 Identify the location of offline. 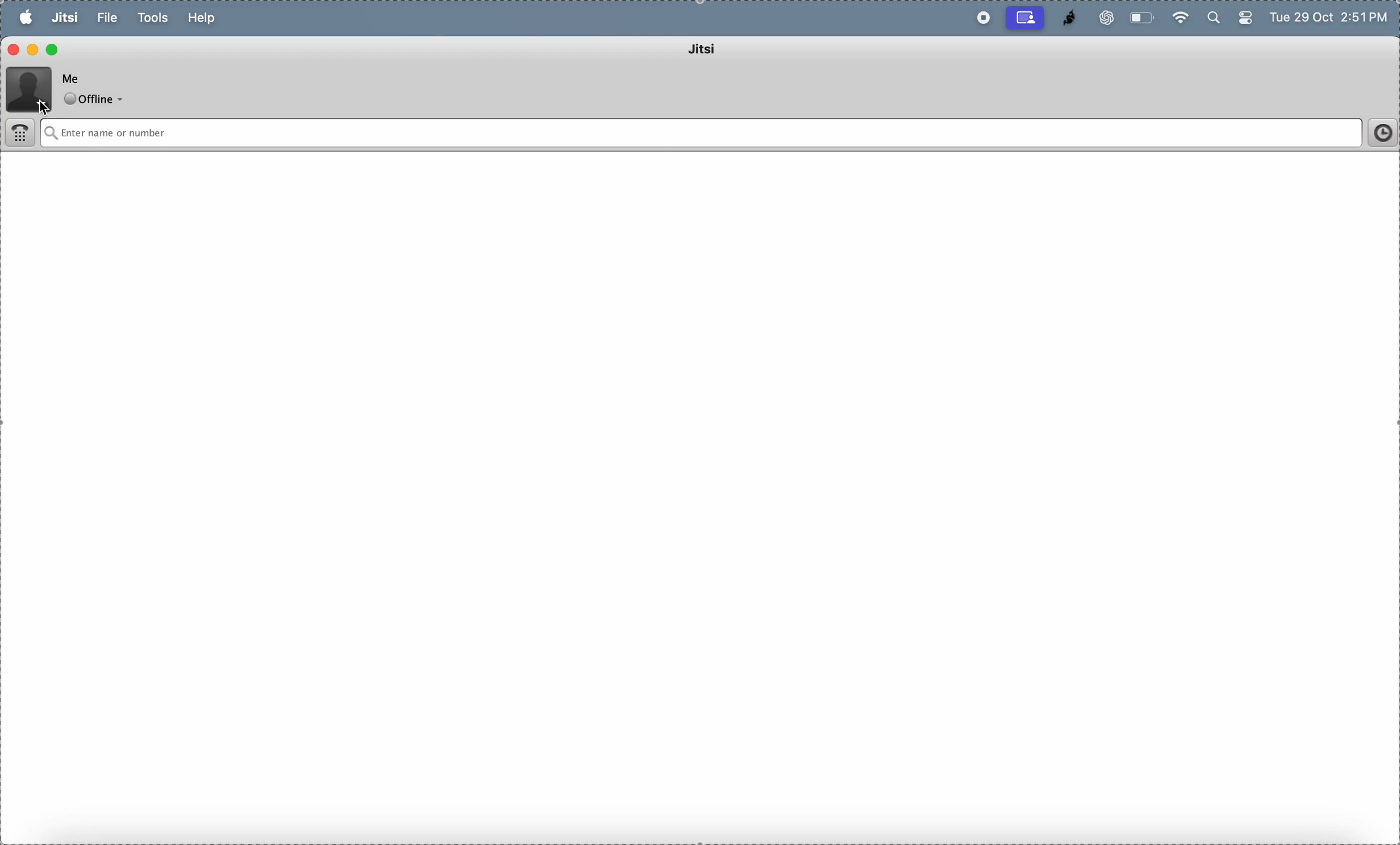
(97, 100).